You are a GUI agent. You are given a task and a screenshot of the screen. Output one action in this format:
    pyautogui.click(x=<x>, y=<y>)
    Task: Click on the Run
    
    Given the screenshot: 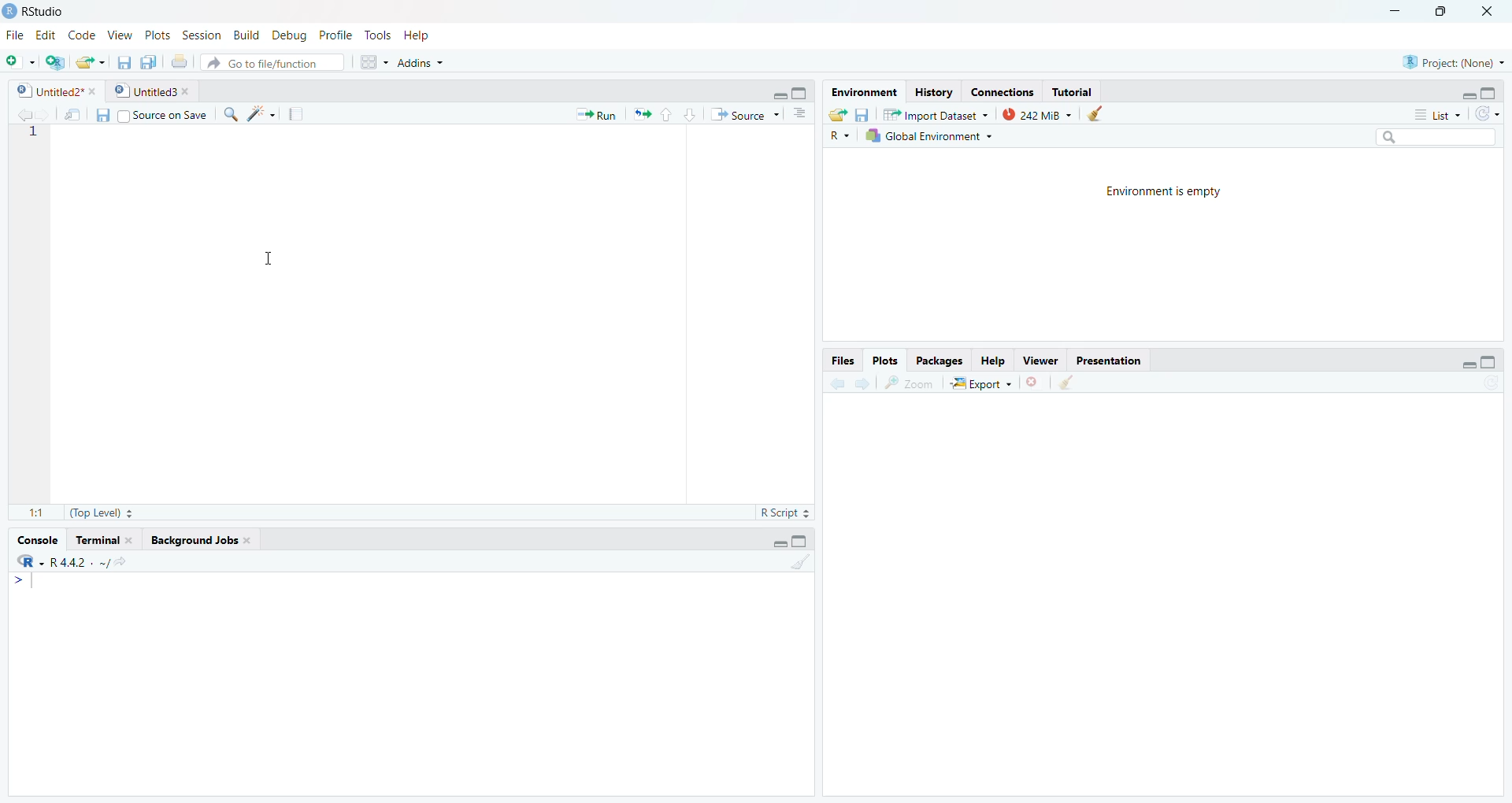 What is the action you would take?
    pyautogui.click(x=598, y=114)
    